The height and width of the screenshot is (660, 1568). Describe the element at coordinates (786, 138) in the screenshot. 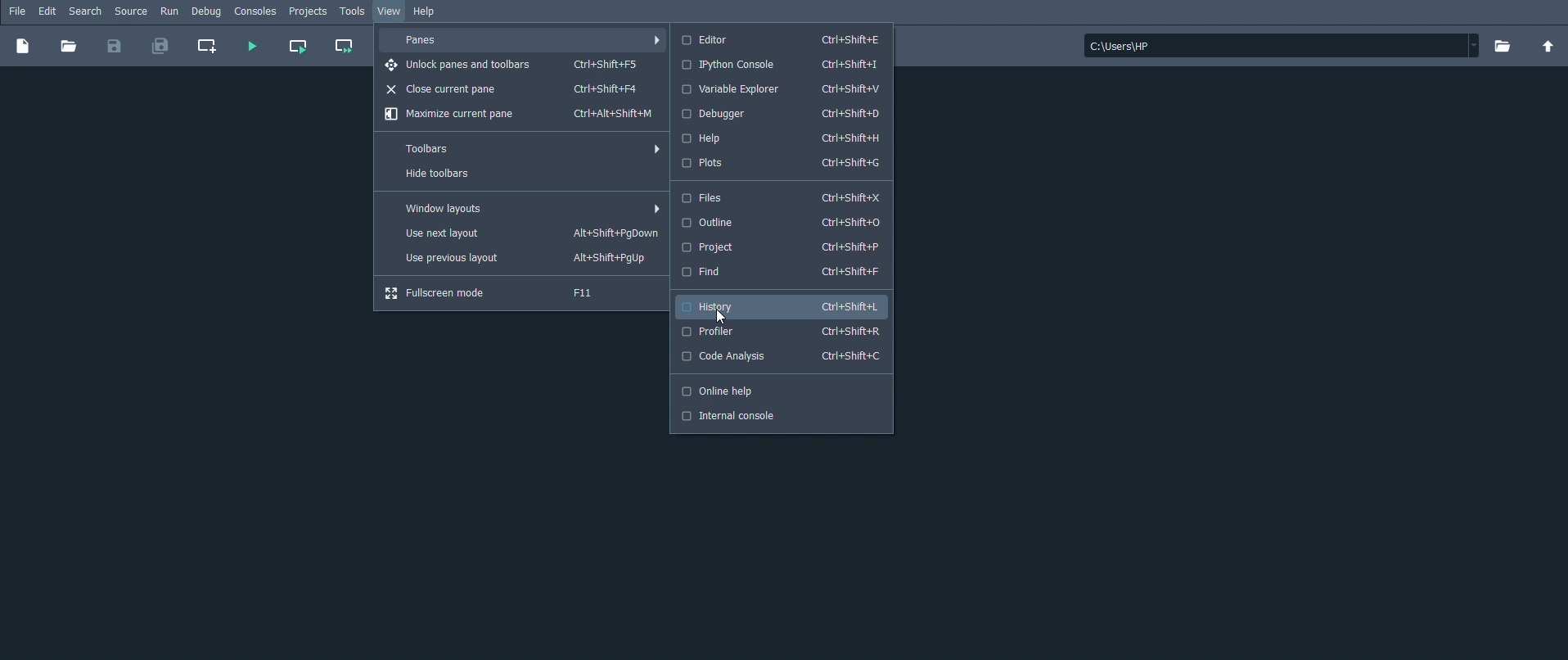

I see `Help` at that location.